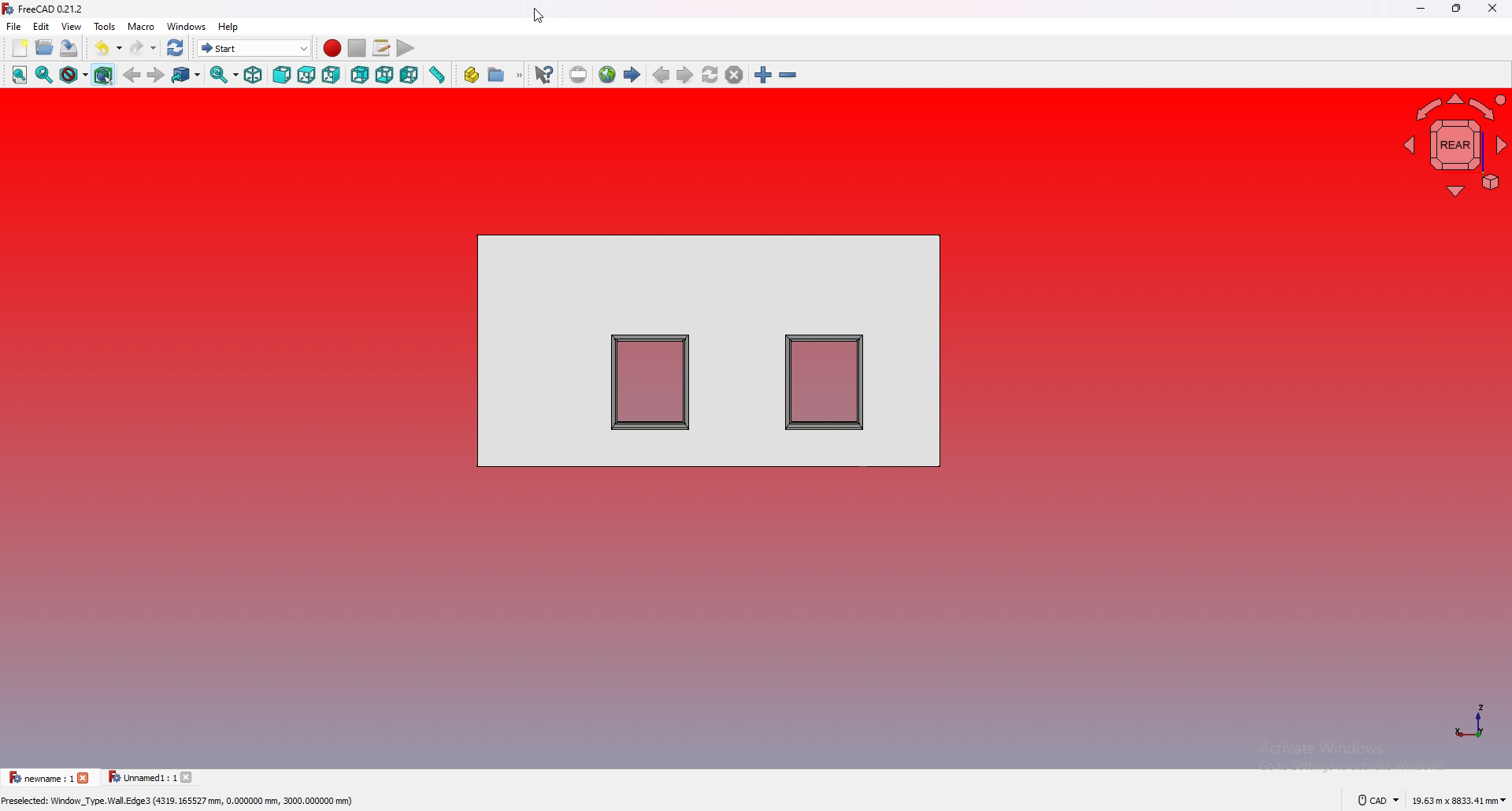 The height and width of the screenshot is (811, 1512). I want to click on set url, so click(578, 75).